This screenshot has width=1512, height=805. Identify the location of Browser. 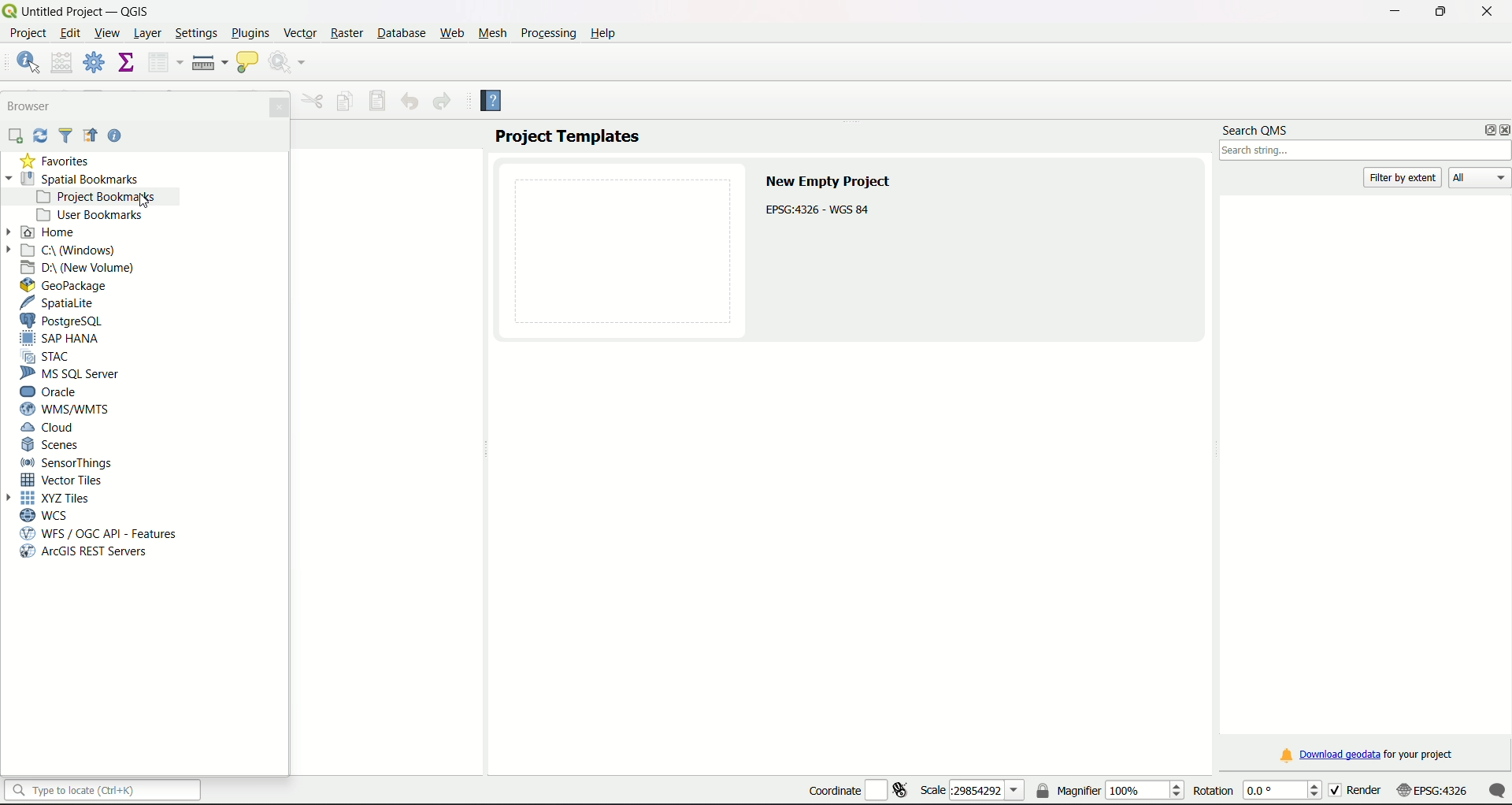
(31, 106).